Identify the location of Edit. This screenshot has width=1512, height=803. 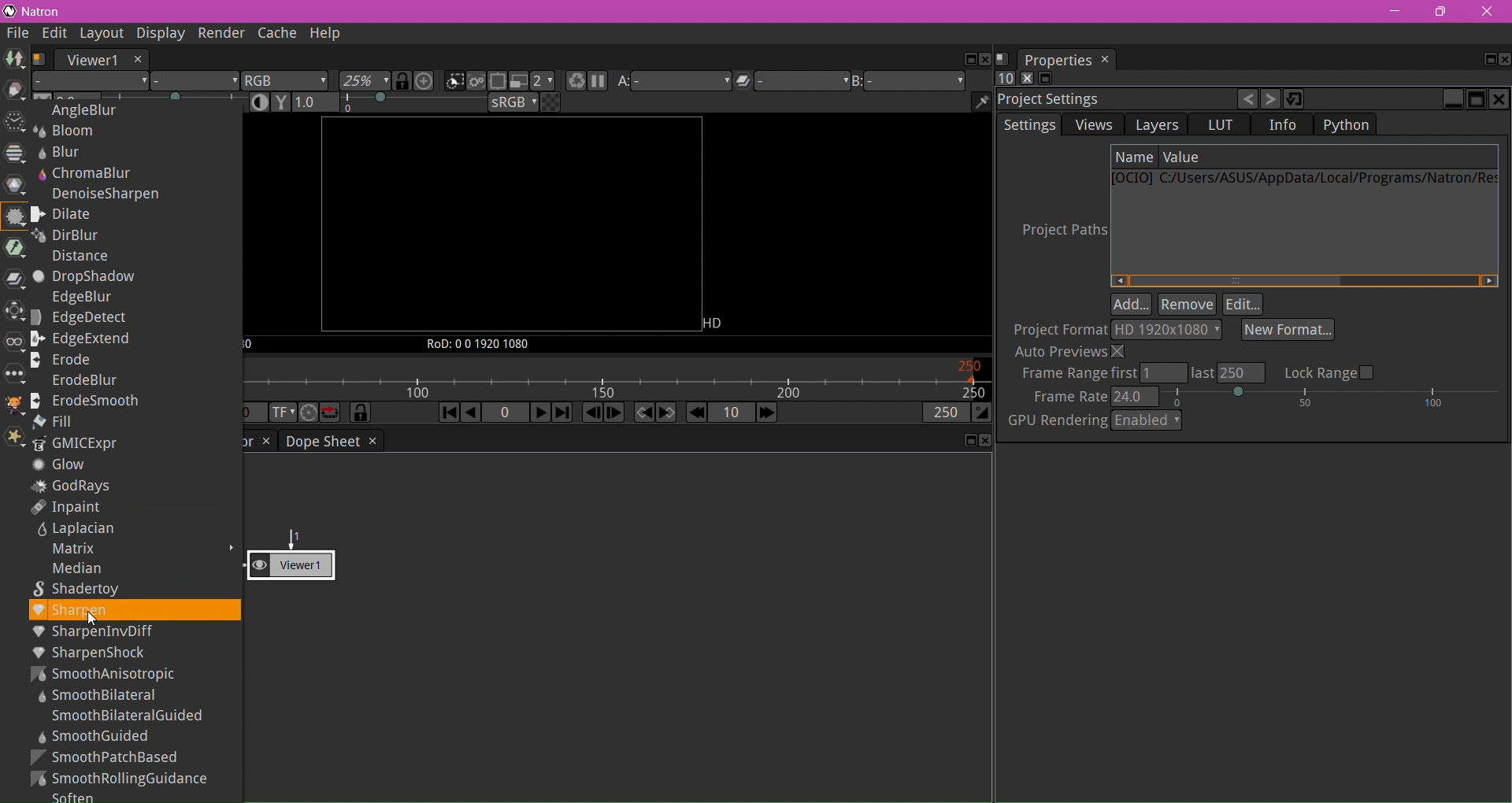
(56, 35).